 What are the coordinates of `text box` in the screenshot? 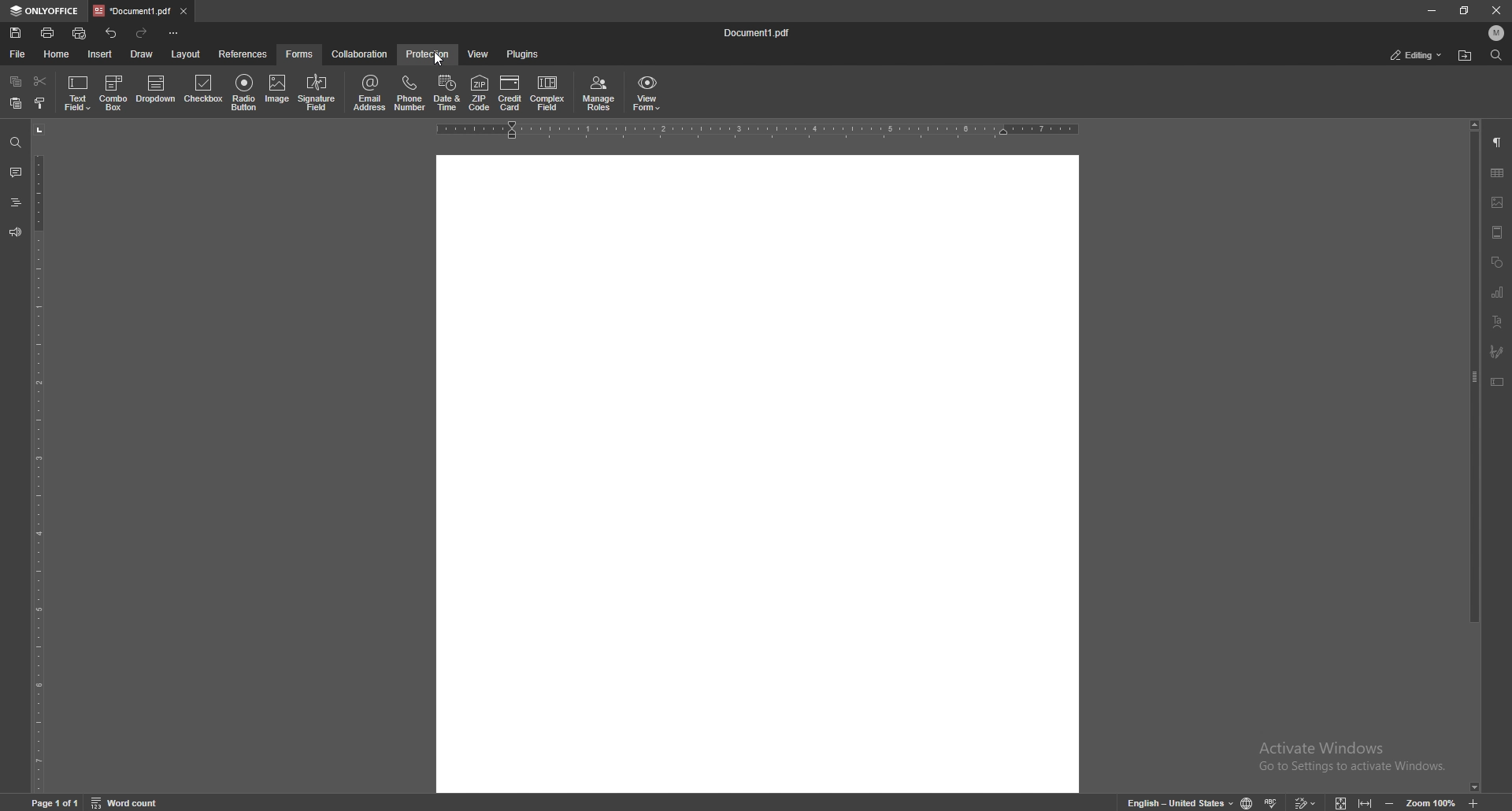 It's located at (1497, 382).